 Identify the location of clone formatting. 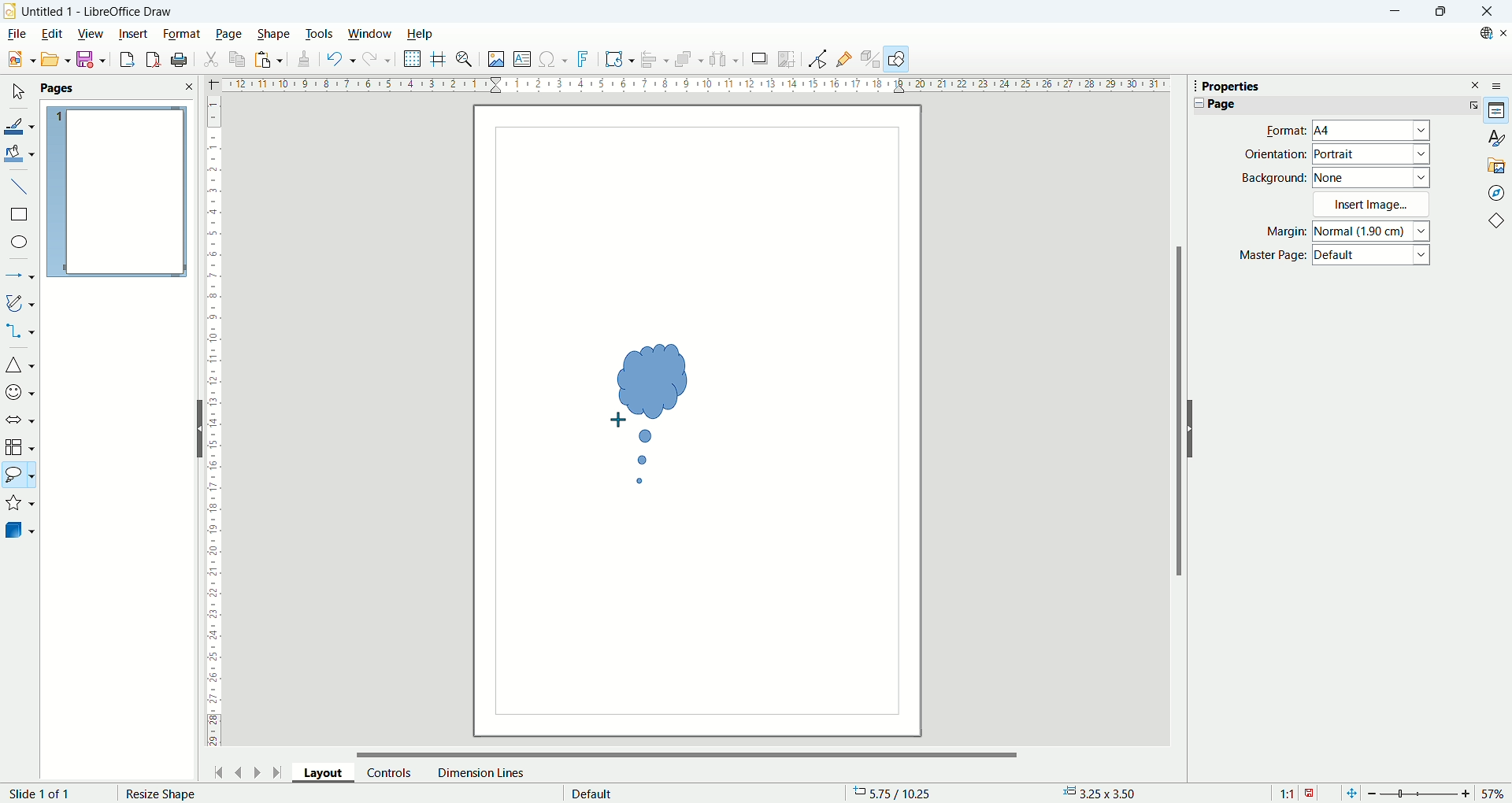
(302, 60).